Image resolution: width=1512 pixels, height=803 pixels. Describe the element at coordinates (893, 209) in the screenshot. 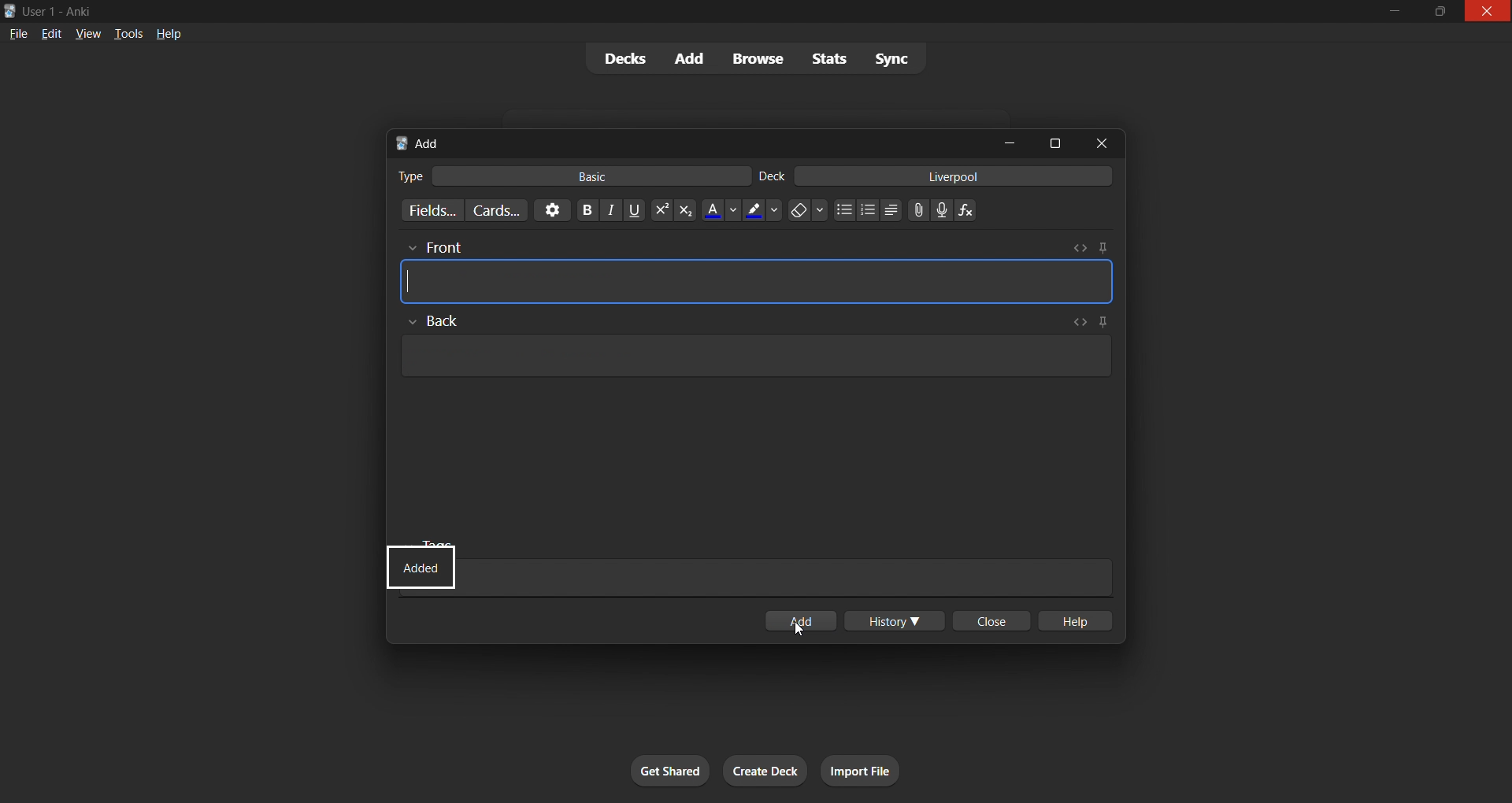

I see `alignment` at that location.